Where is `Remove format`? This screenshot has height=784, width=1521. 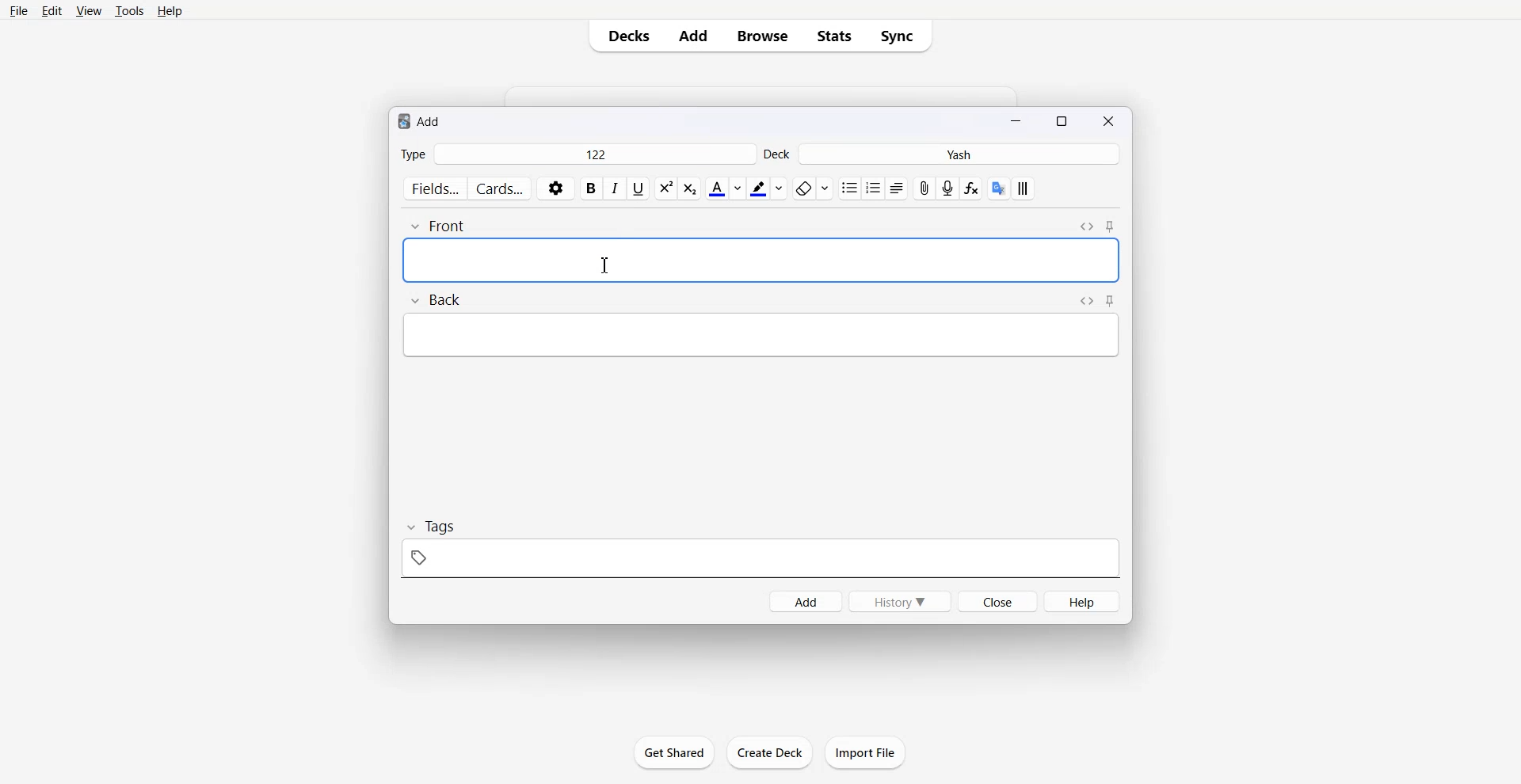 Remove format is located at coordinates (812, 188).